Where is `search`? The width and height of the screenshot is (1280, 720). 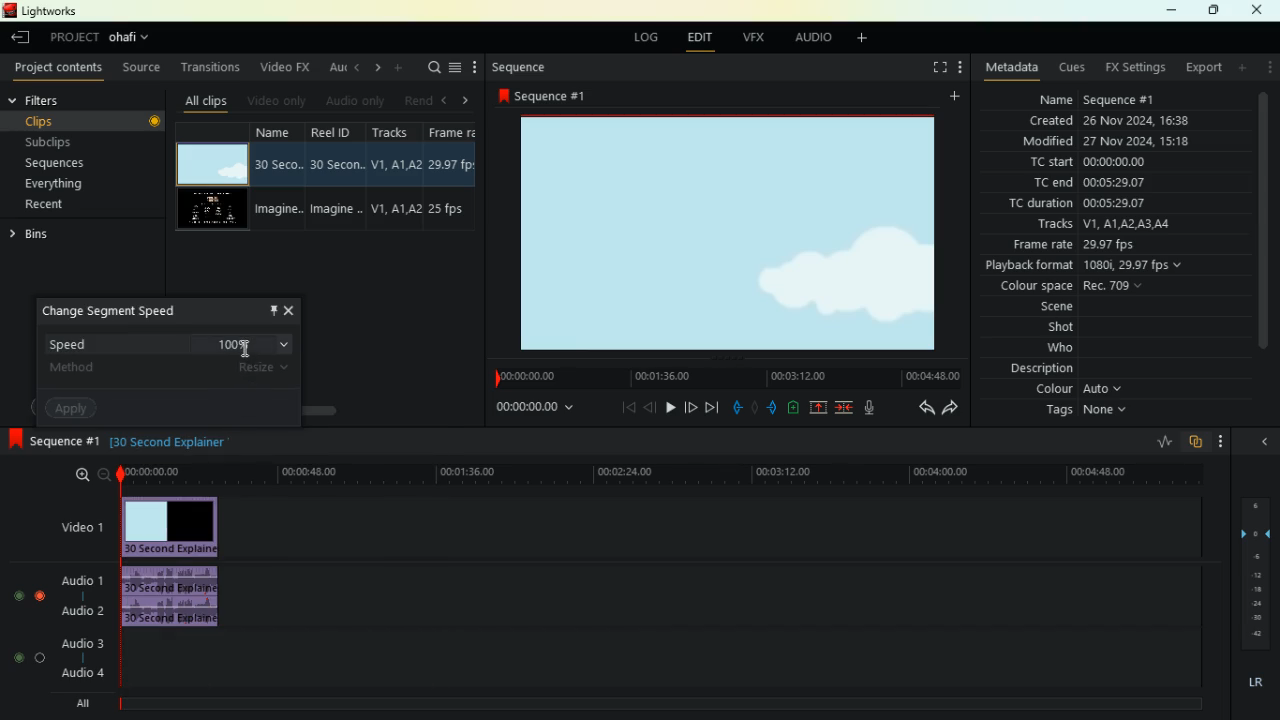
search is located at coordinates (431, 69).